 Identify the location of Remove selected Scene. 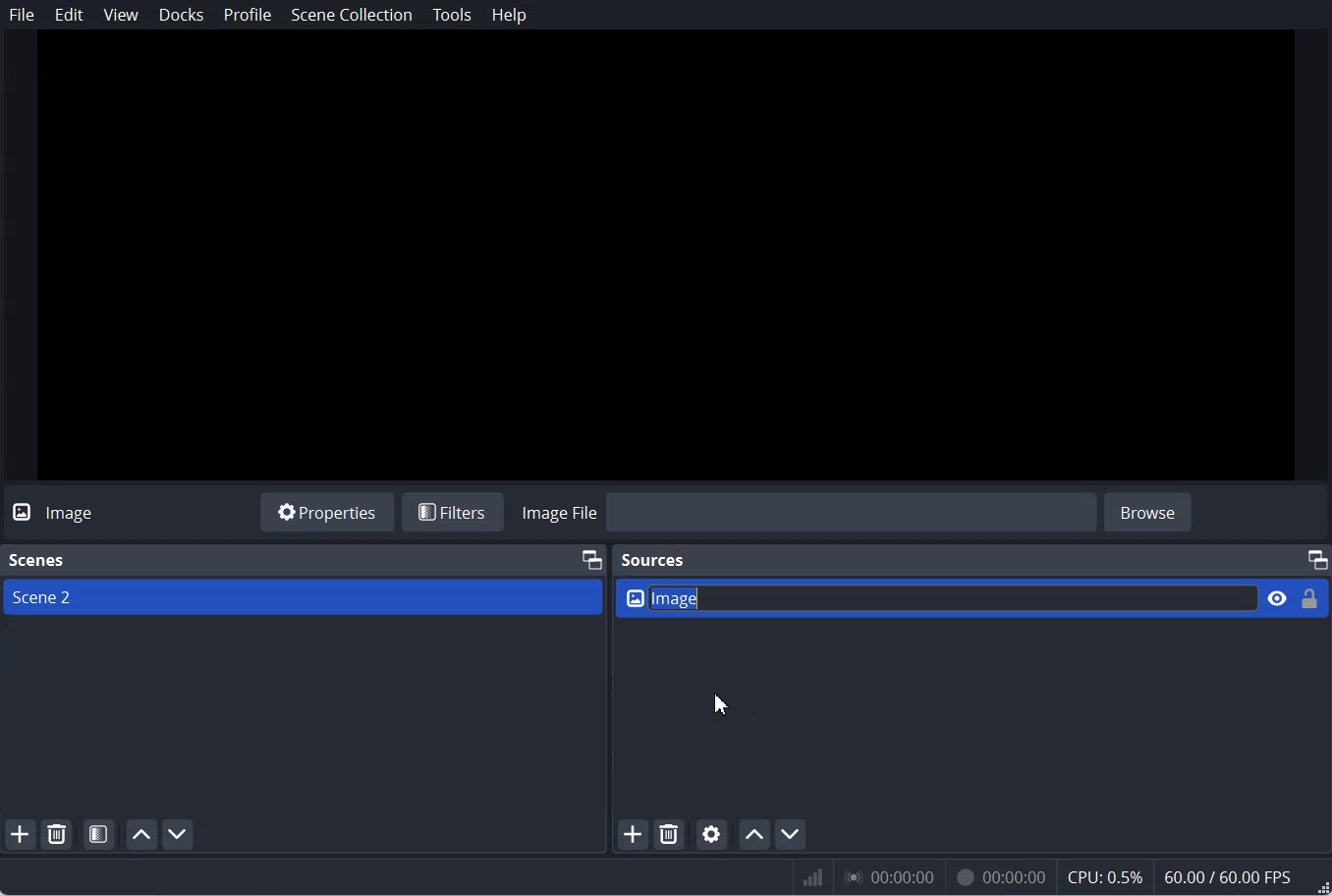
(57, 834).